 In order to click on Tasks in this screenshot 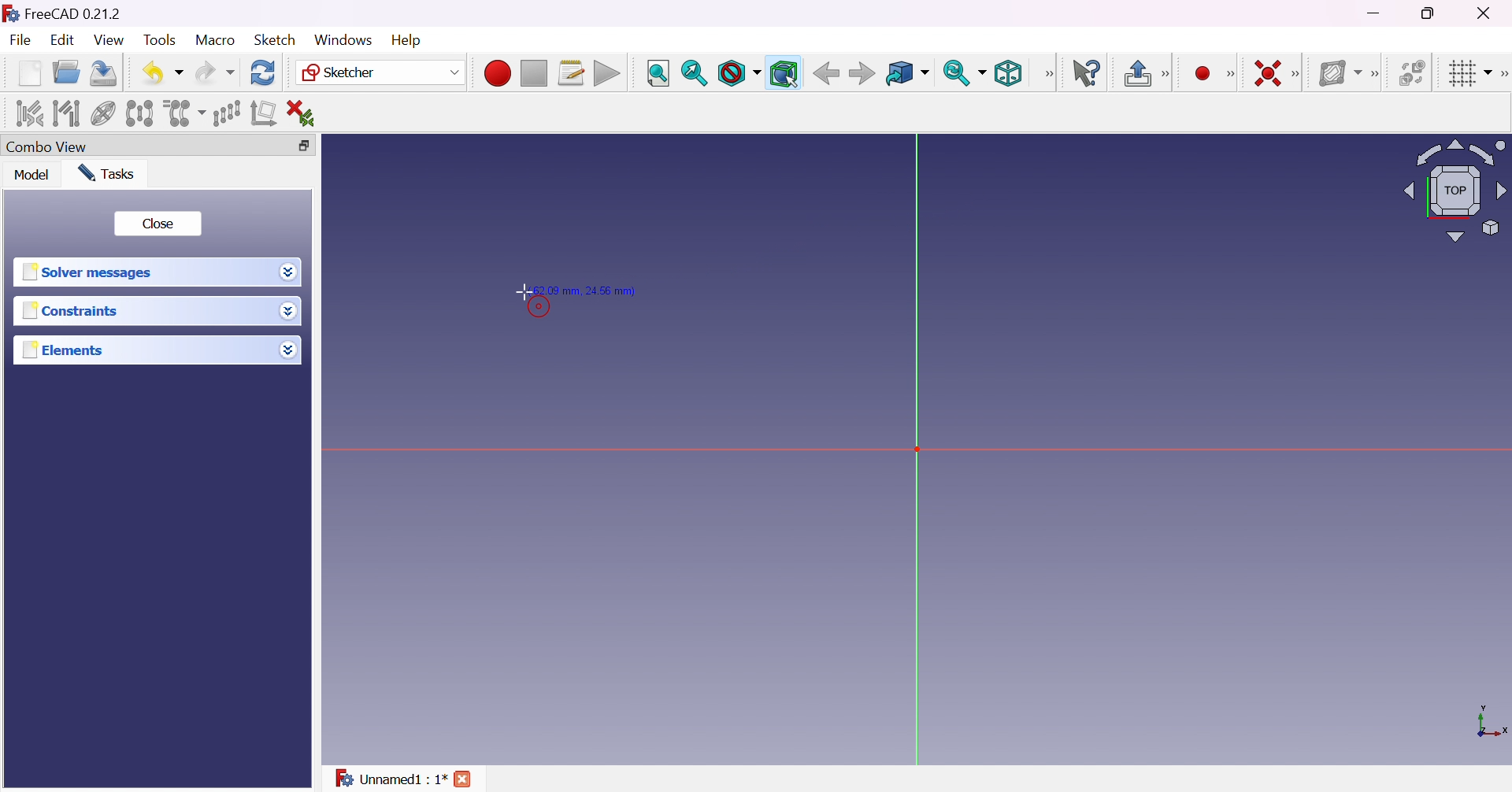, I will do `click(106, 172)`.